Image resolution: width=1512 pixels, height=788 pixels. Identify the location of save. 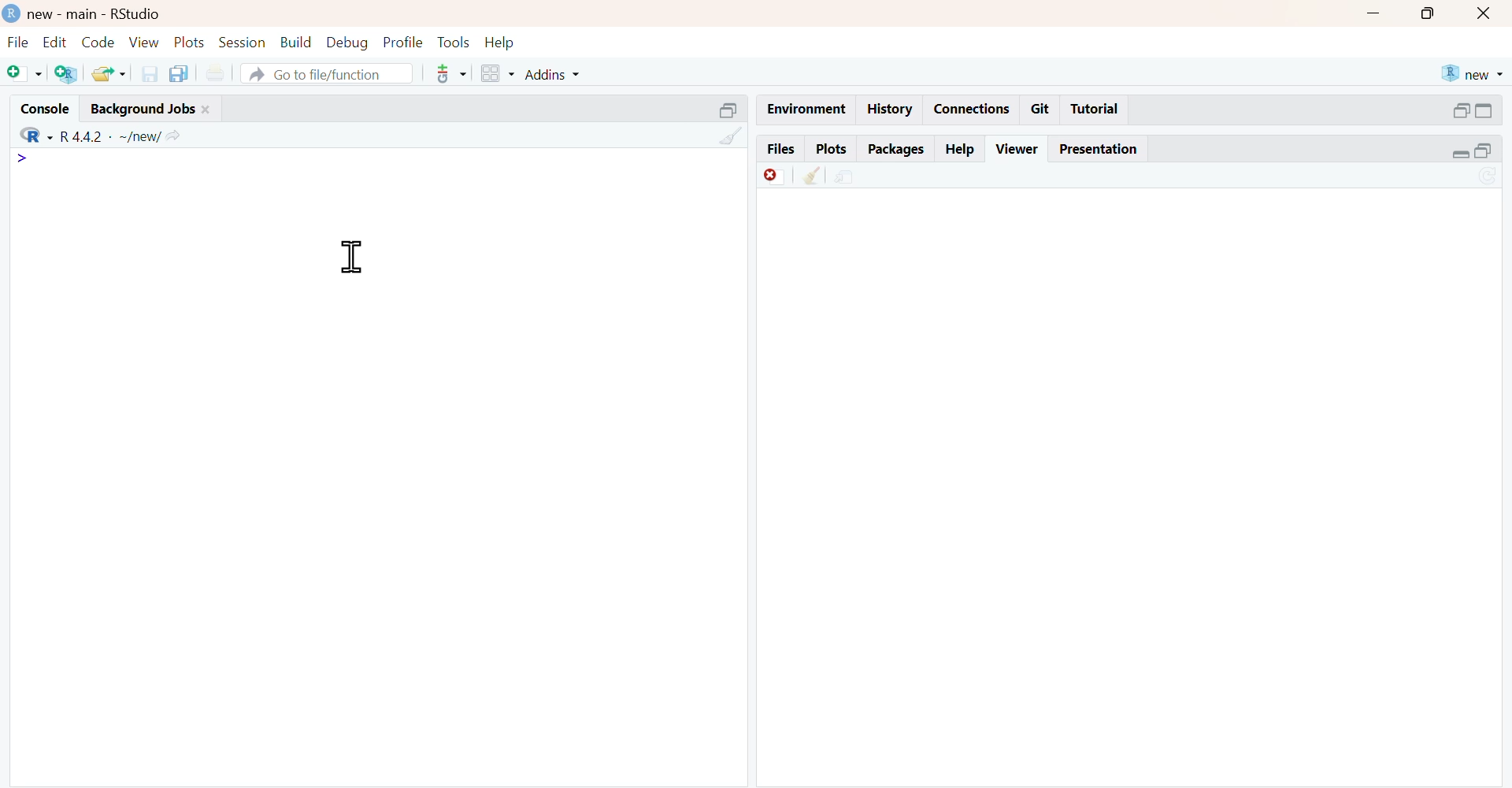
(150, 74).